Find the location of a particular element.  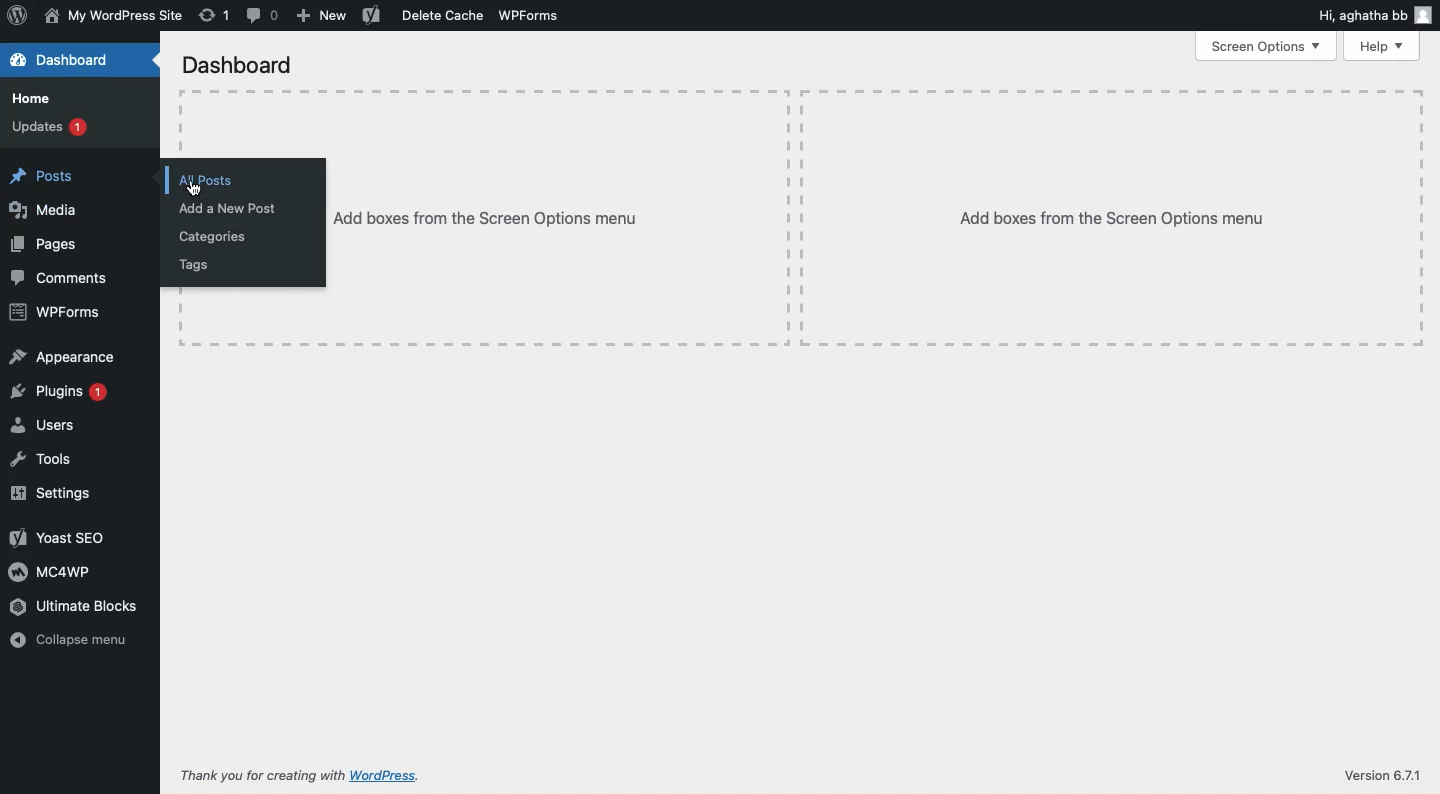

Comment is located at coordinates (264, 14).